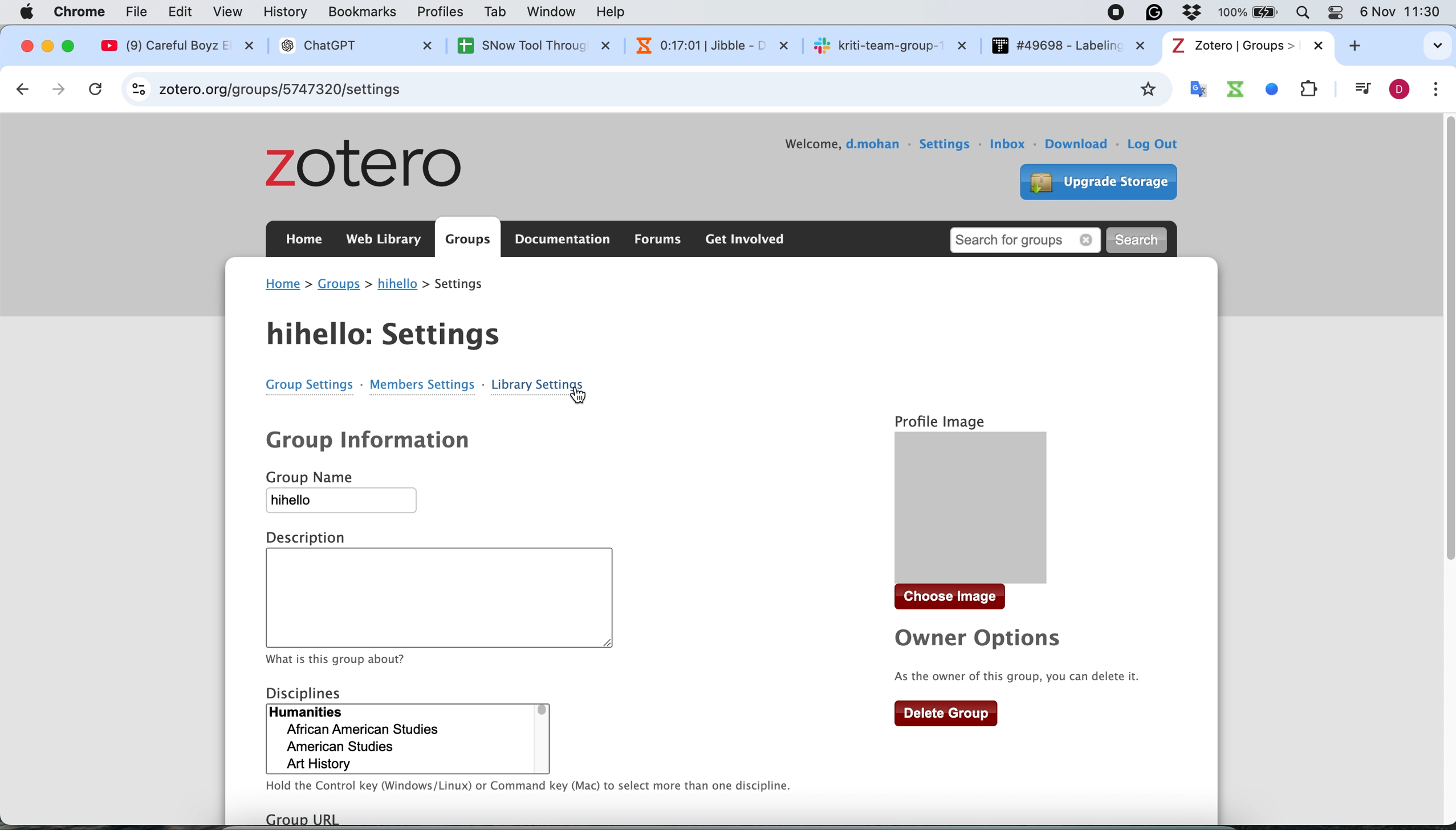 The width and height of the screenshot is (1456, 830). What do you see at coordinates (1260, 88) in the screenshot?
I see `system extensions` at bounding box center [1260, 88].